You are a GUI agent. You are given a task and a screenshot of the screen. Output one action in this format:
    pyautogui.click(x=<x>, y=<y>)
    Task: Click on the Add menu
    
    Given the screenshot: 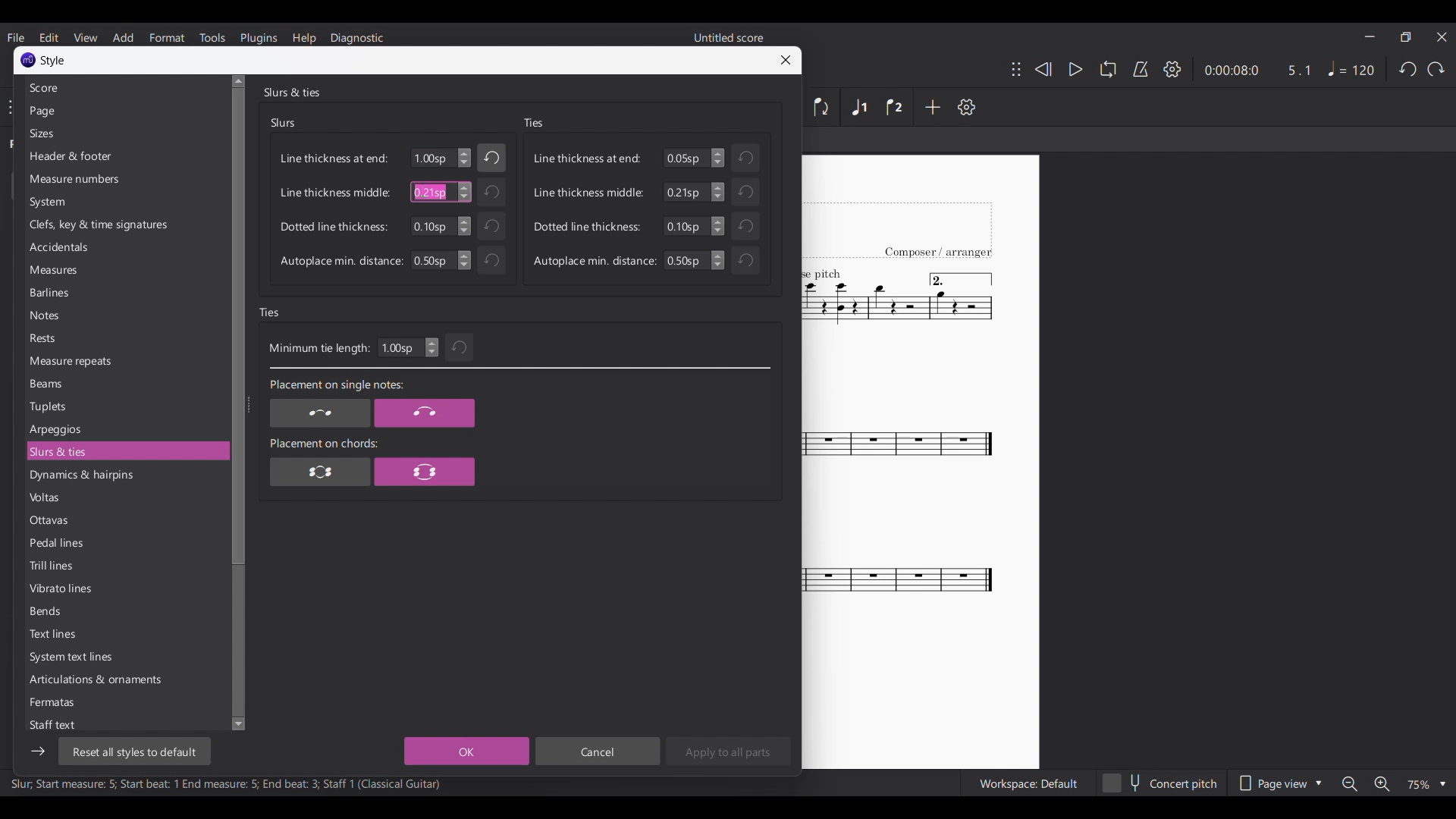 What is the action you would take?
    pyautogui.click(x=124, y=38)
    